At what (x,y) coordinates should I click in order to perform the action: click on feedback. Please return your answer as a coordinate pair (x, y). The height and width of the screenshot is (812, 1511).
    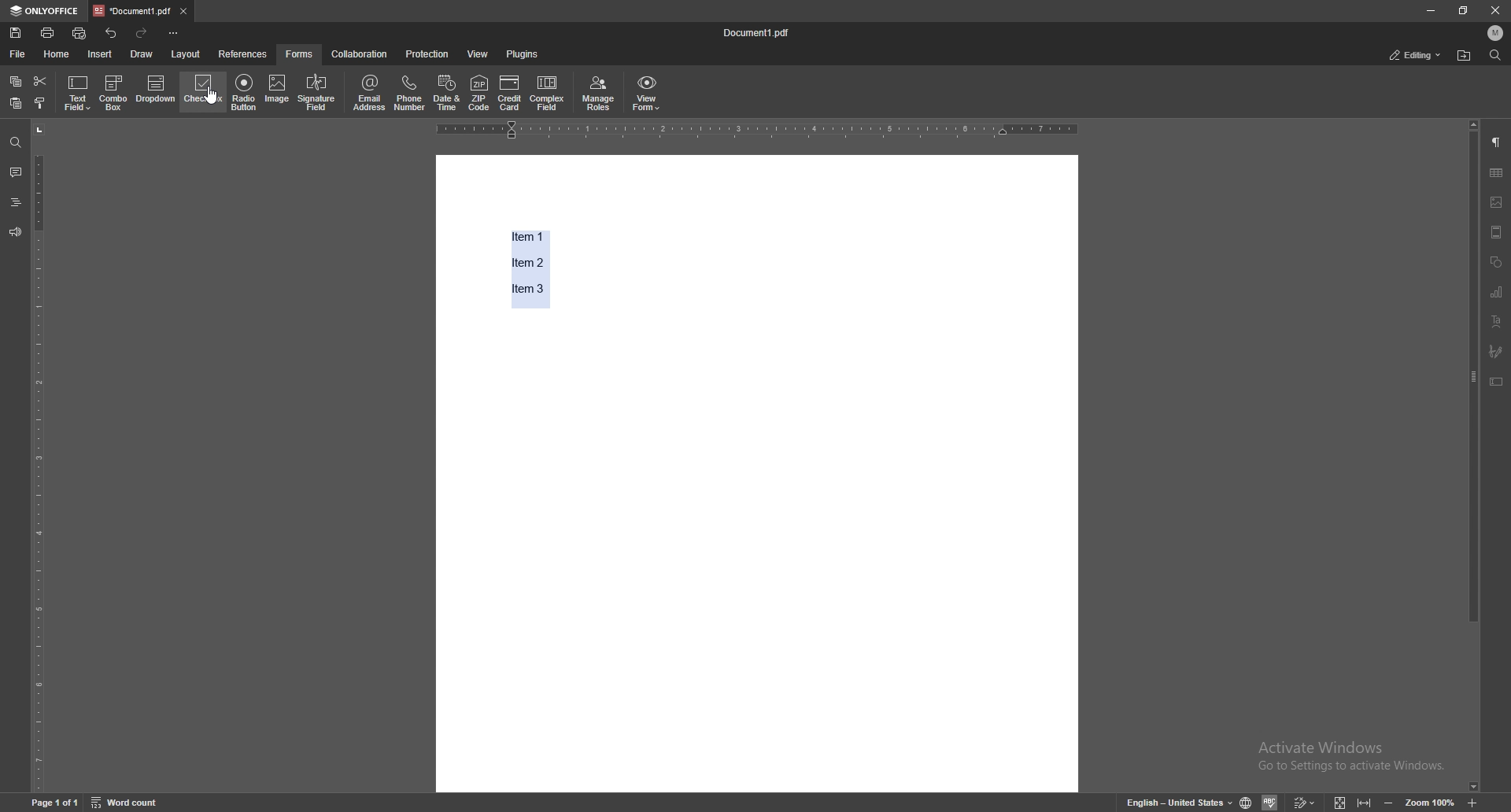
    Looking at the image, I should click on (16, 233).